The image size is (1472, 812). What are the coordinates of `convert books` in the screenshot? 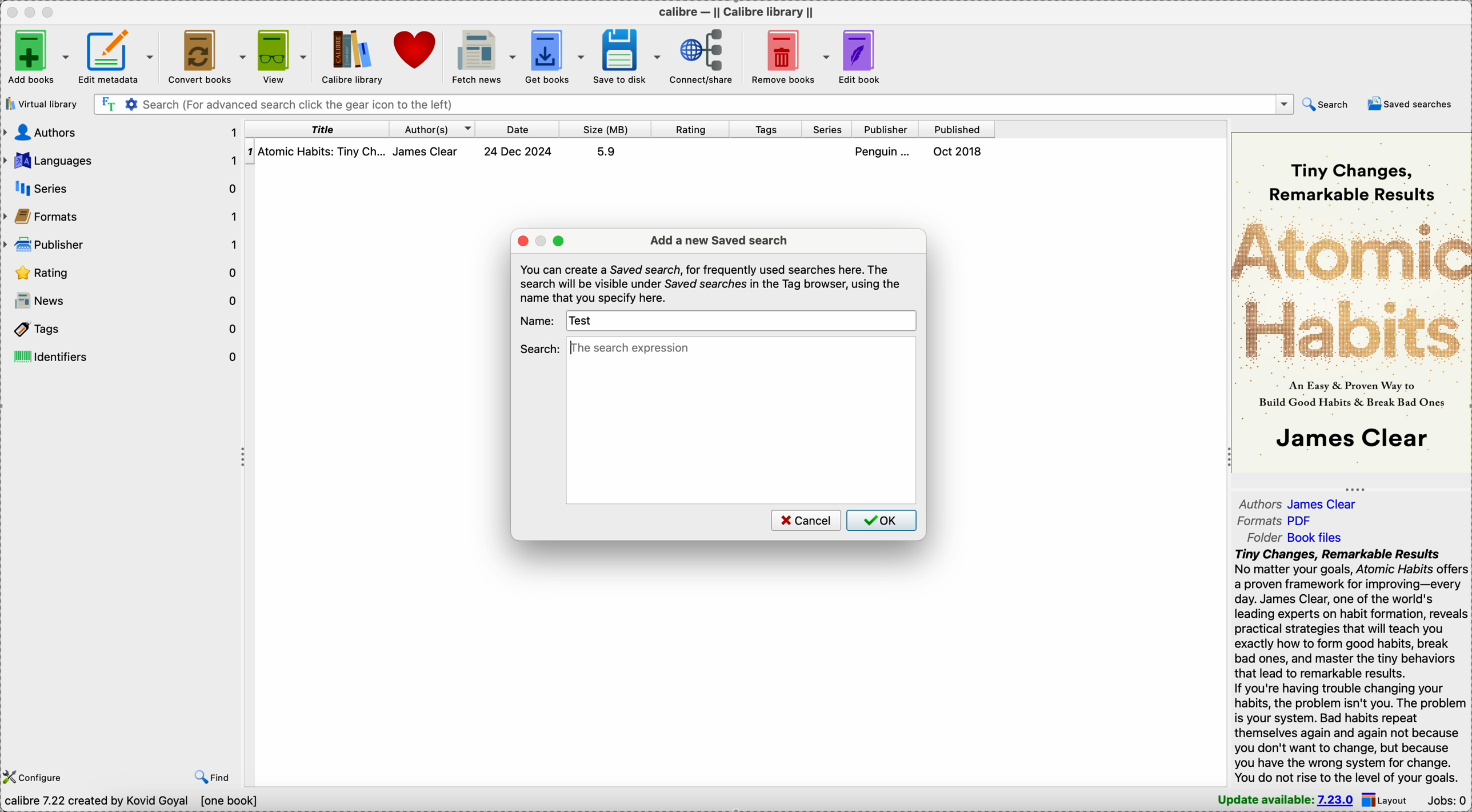 It's located at (205, 55).